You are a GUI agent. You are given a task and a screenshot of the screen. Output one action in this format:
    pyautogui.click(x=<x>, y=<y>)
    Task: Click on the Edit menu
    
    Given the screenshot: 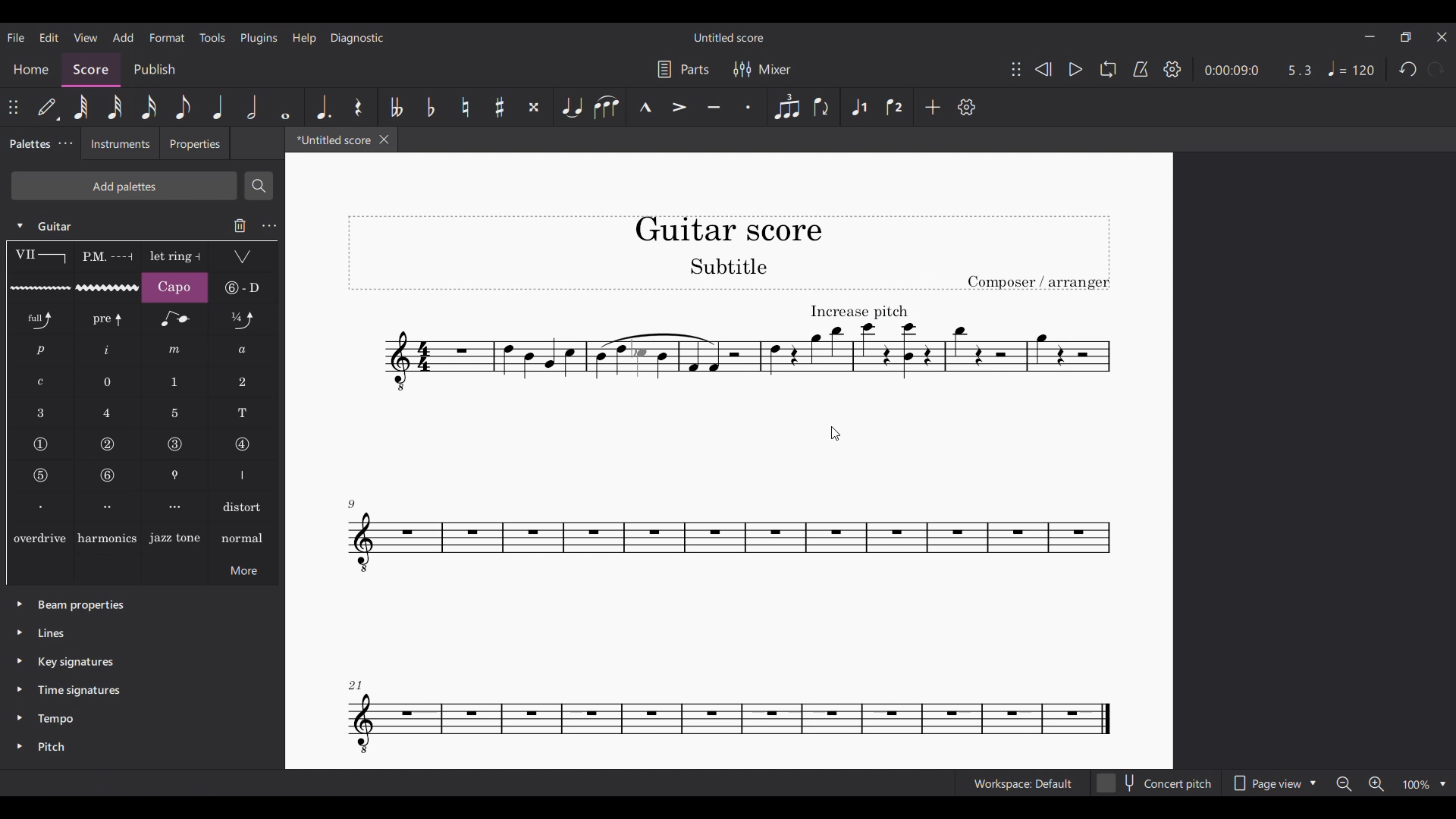 What is the action you would take?
    pyautogui.click(x=49, y=38)
    